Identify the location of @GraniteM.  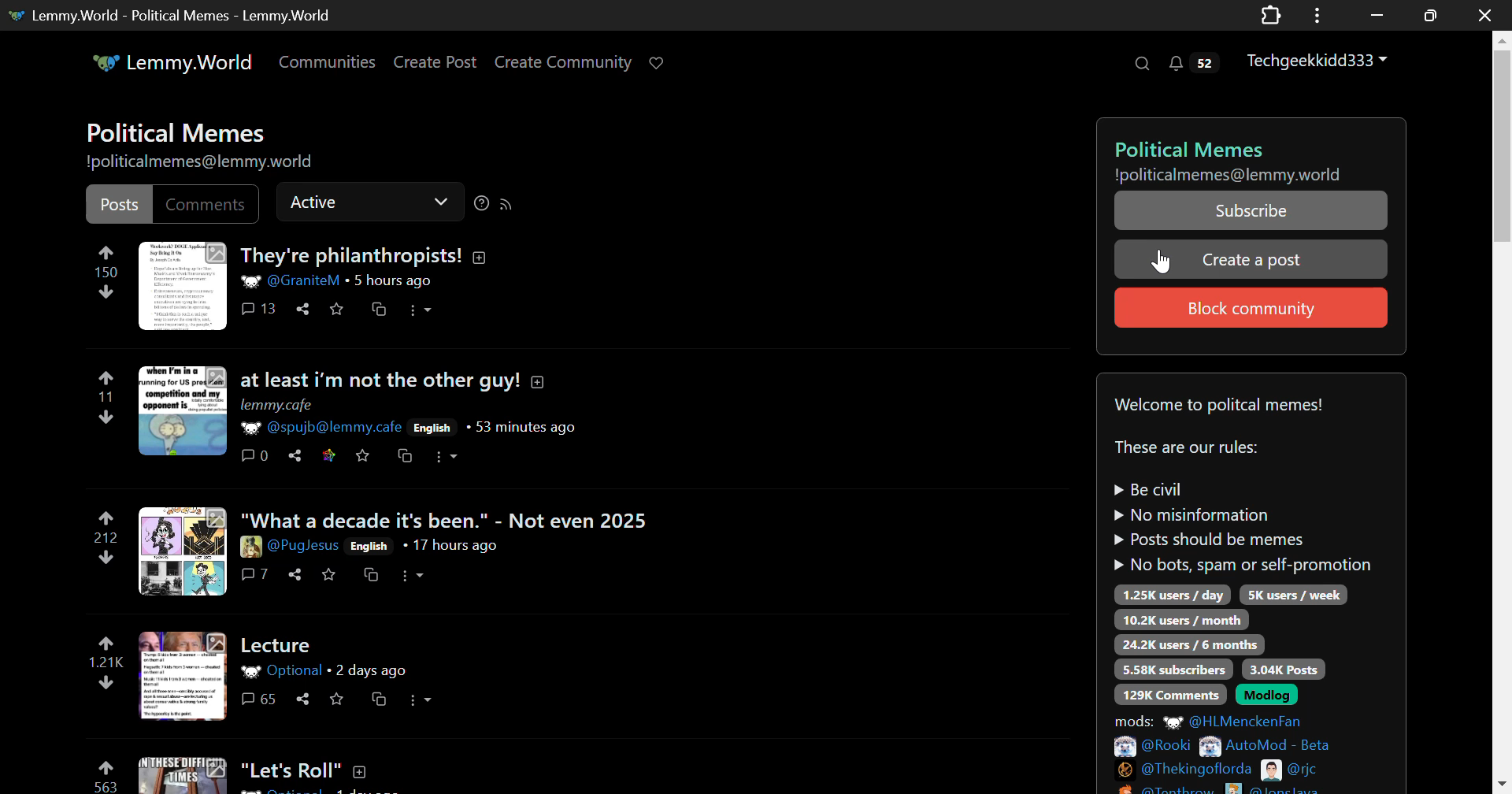
(292, 280).